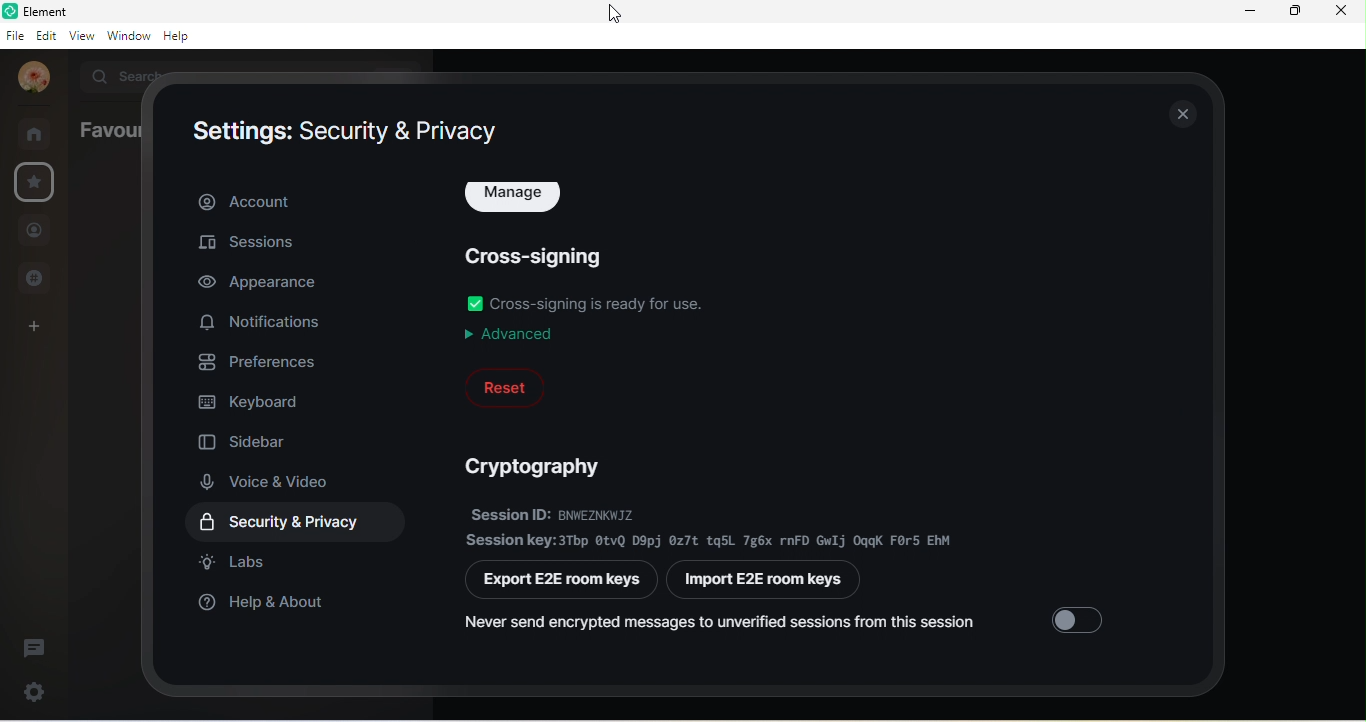  Describe the element at coordinates (41, 277) in the screenshot. I see `public room` at that location.